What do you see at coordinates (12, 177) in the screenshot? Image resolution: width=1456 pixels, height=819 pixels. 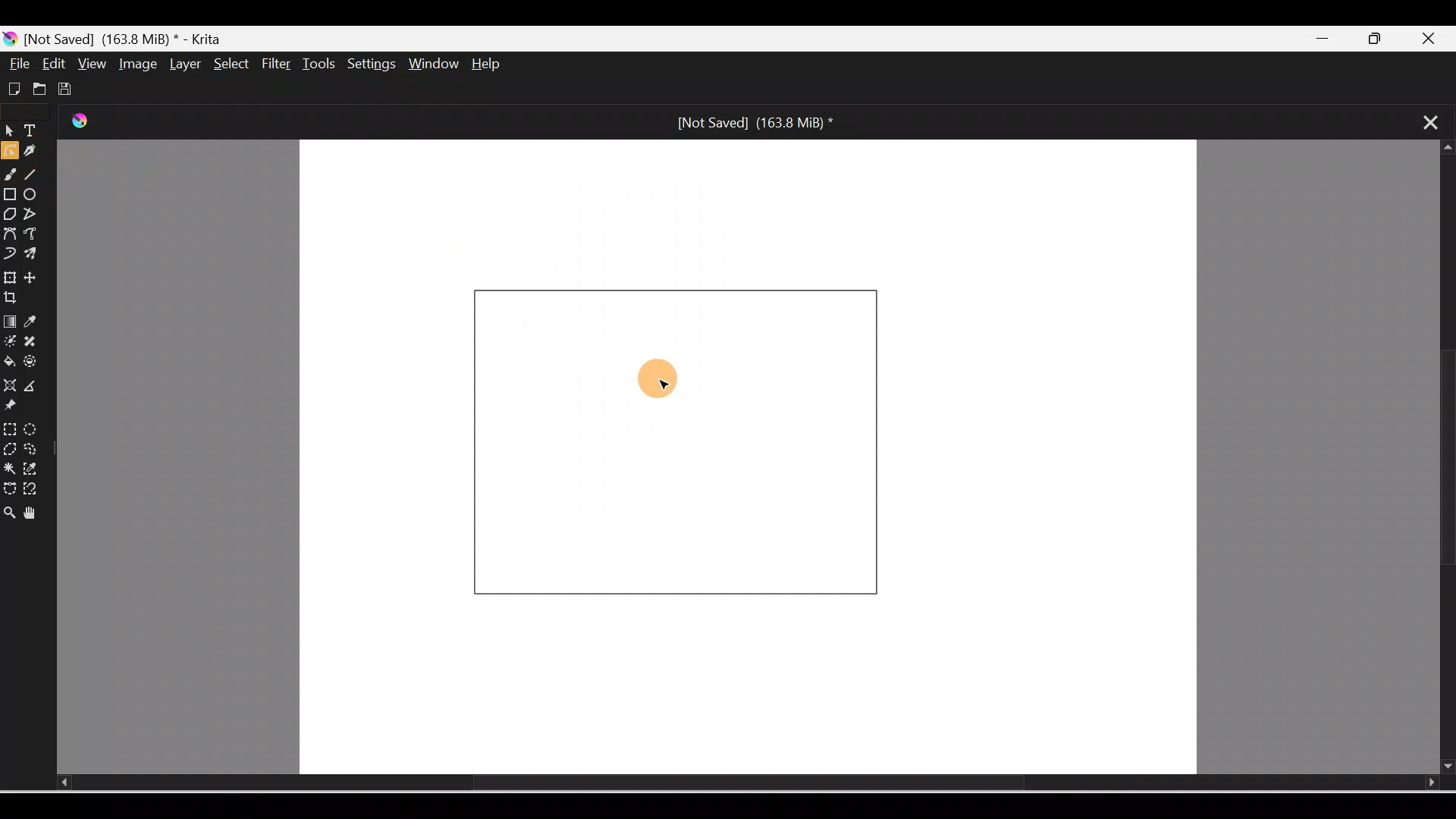 I see `Freehand brush tool` at bounding box center [12, 177].